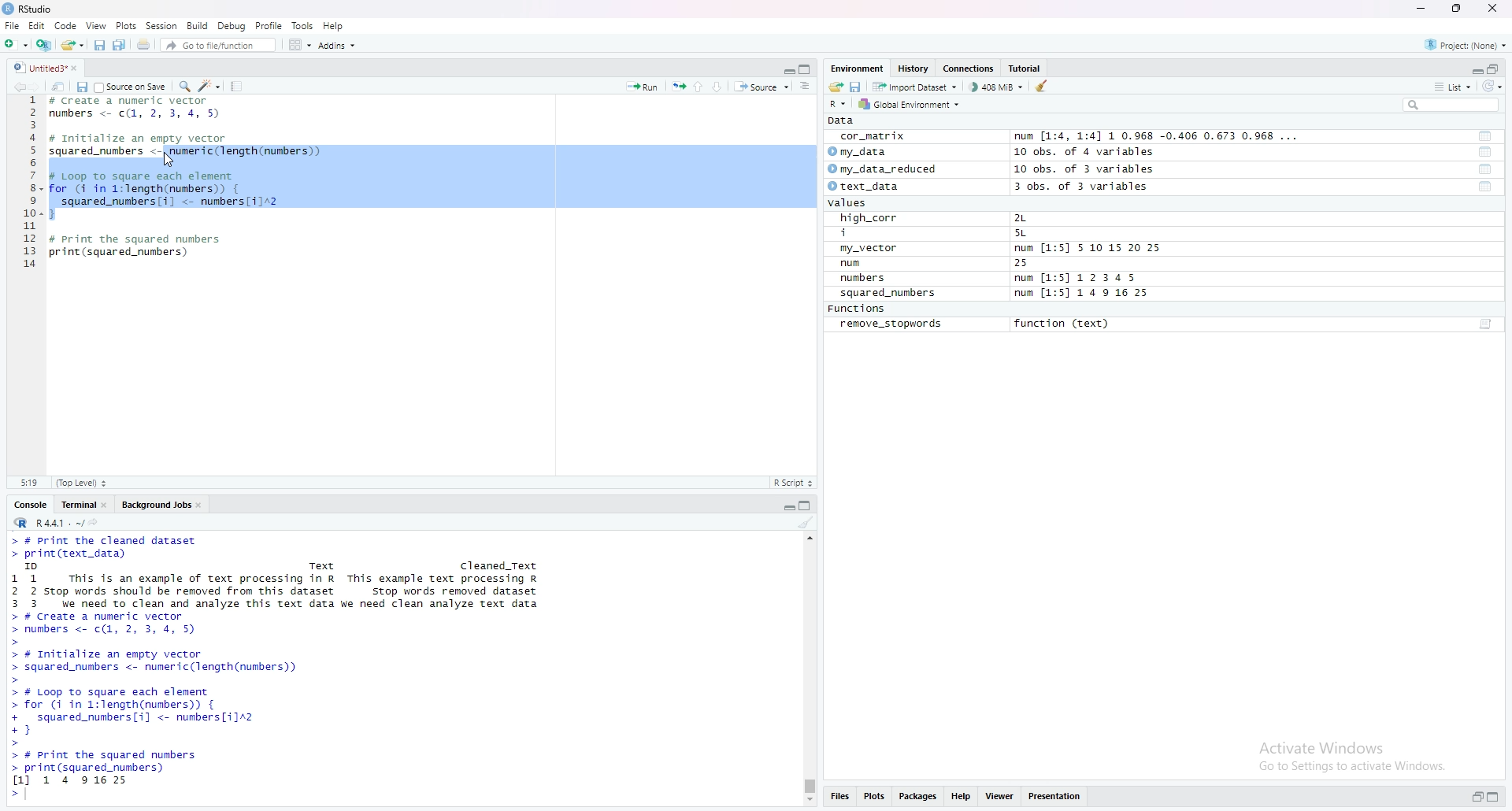  Describe the element at coordinates (718, 86) in the screenshot. I see `down` at that location.